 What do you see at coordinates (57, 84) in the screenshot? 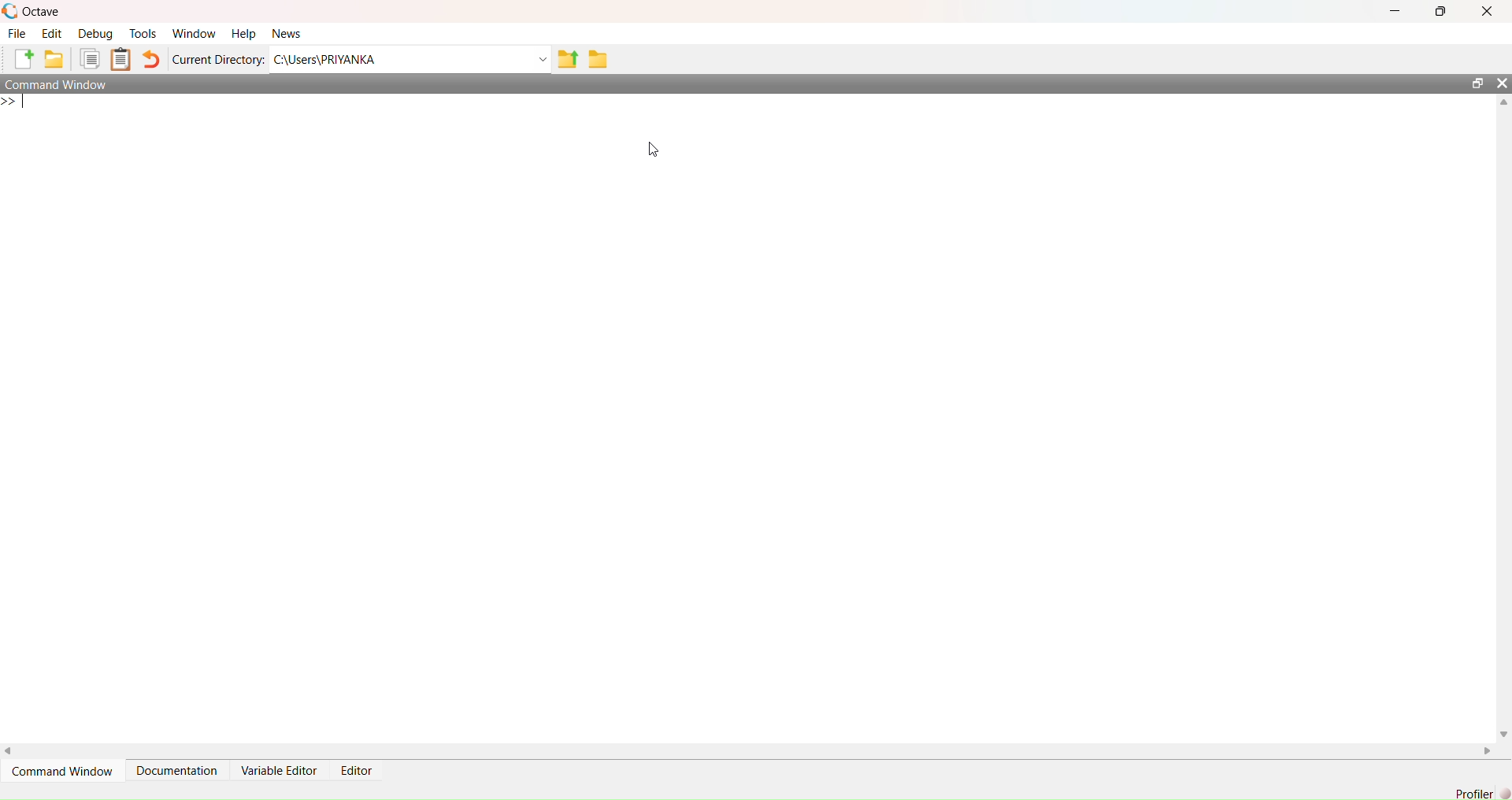
I see `Command Window` at bounding box center [57, 84].